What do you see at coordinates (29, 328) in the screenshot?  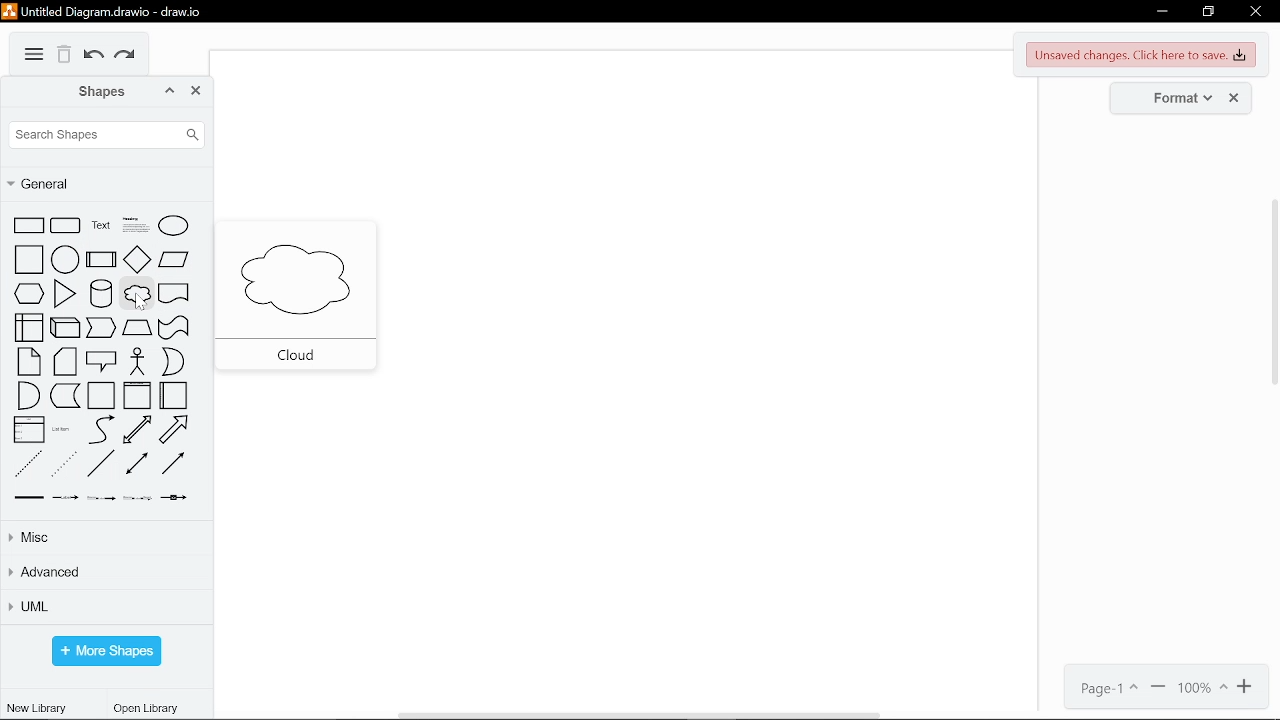 I see `internal storage` at bounding box center [29, 328].